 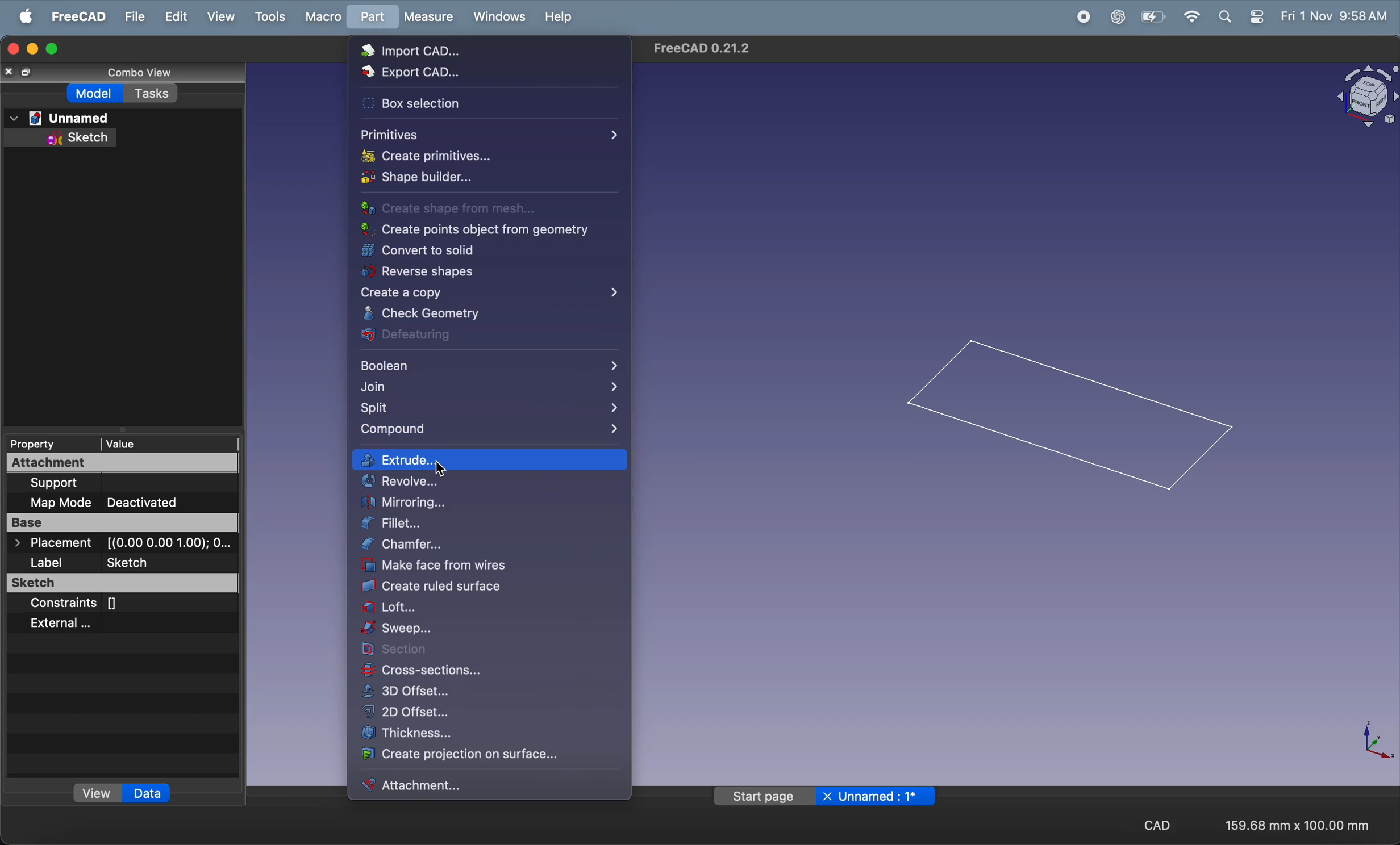 I want to click on sketch, so click(x=68, y=139).